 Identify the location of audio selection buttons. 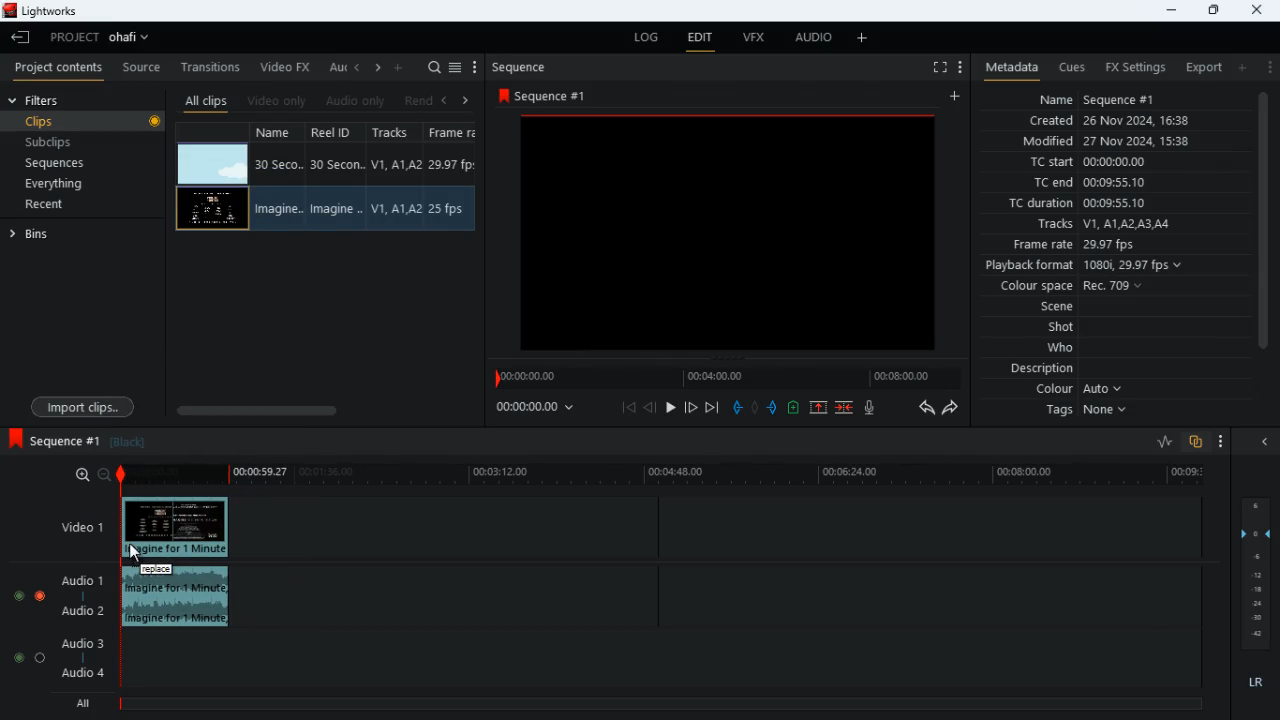
(31, 596).